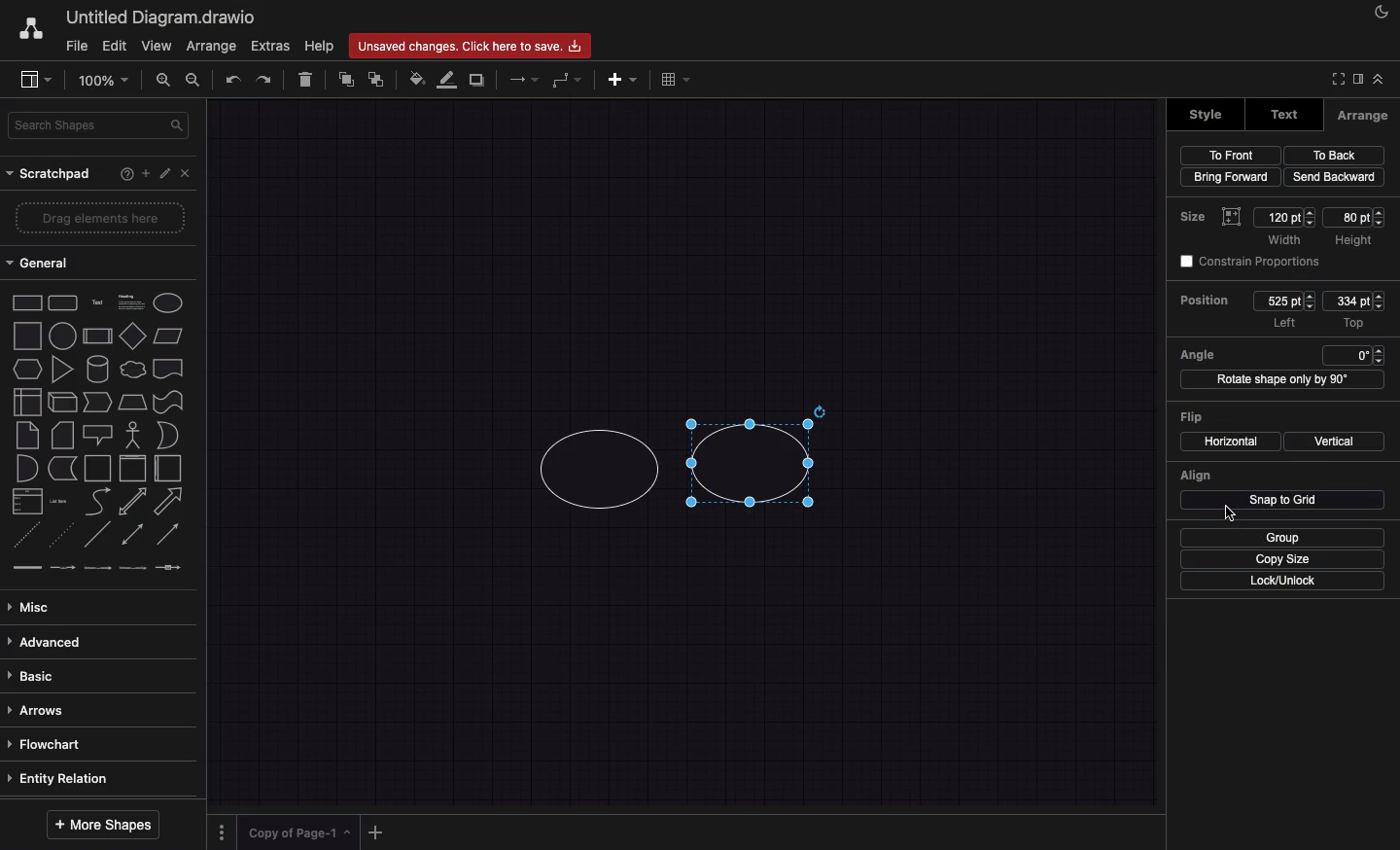 This screenshot has height=850, width=1400. Describe the element at coordinates (521, 80) in the screenshot. I see `connection` at that location.